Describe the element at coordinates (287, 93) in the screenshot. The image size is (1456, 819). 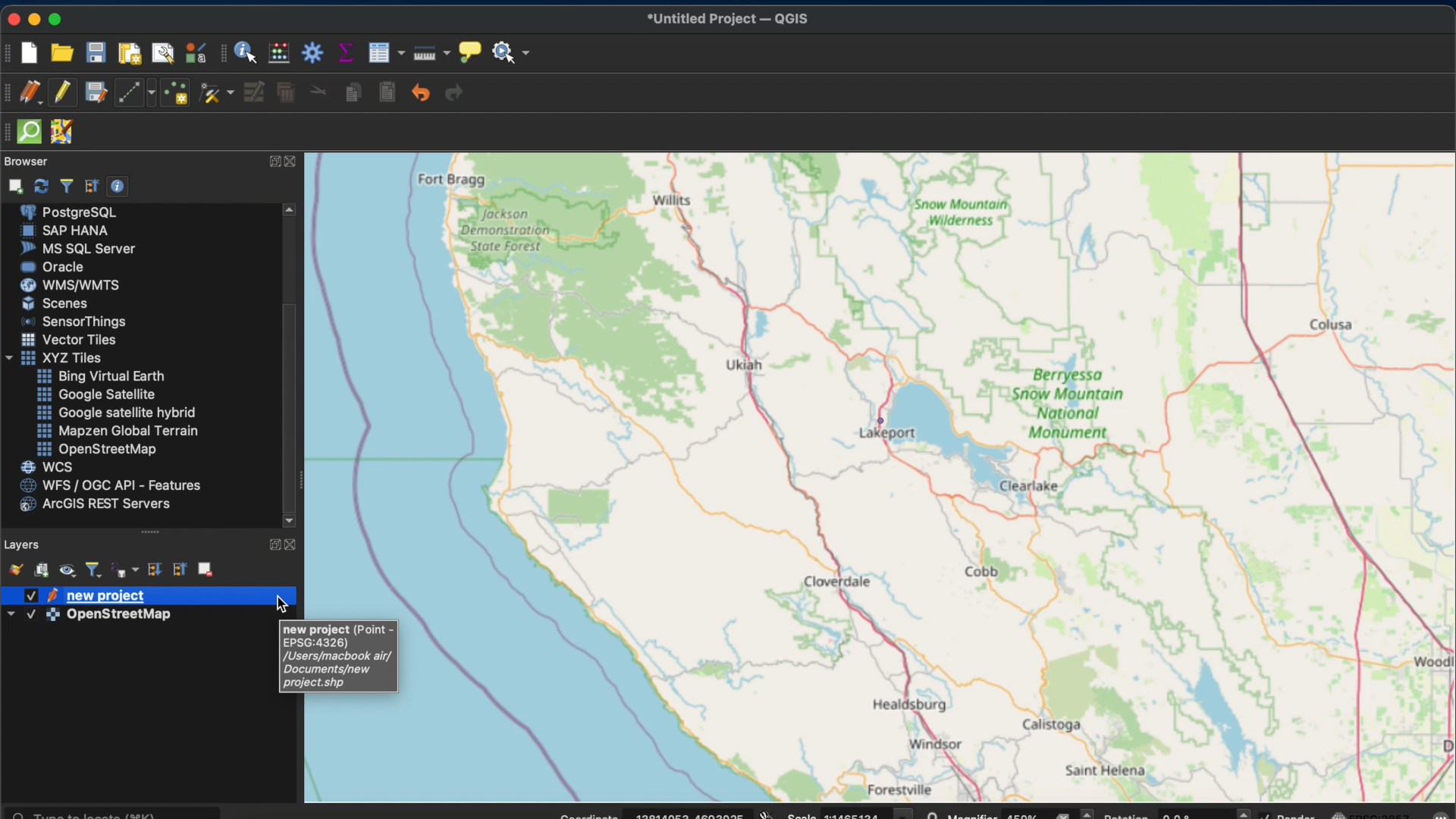
I see `delete selected` at that location.